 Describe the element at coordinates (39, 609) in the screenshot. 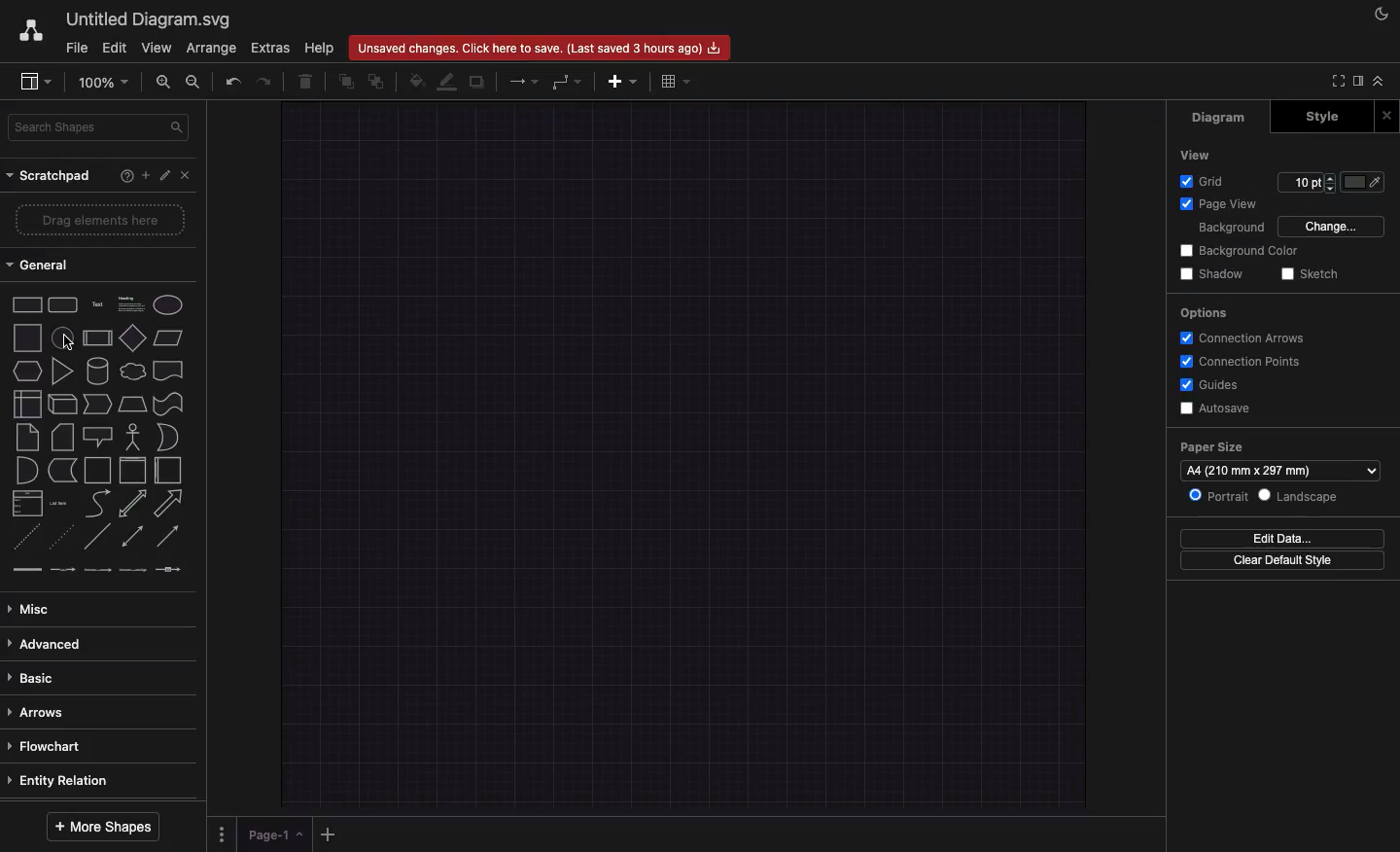

I see `Misc` at that location.